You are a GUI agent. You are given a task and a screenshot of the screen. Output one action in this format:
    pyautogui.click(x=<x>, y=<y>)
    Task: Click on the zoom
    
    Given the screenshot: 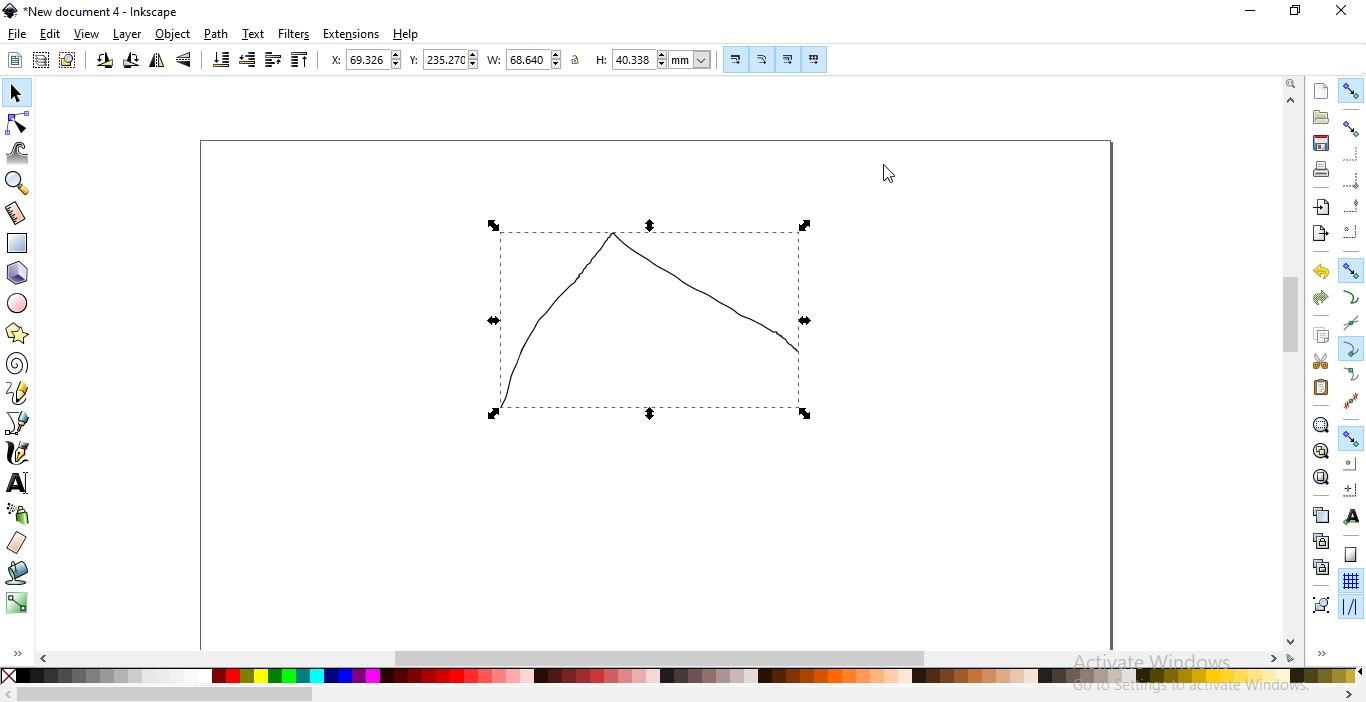 What is the action you would take?
    pyautogui.click(x=1293, y=82)
    